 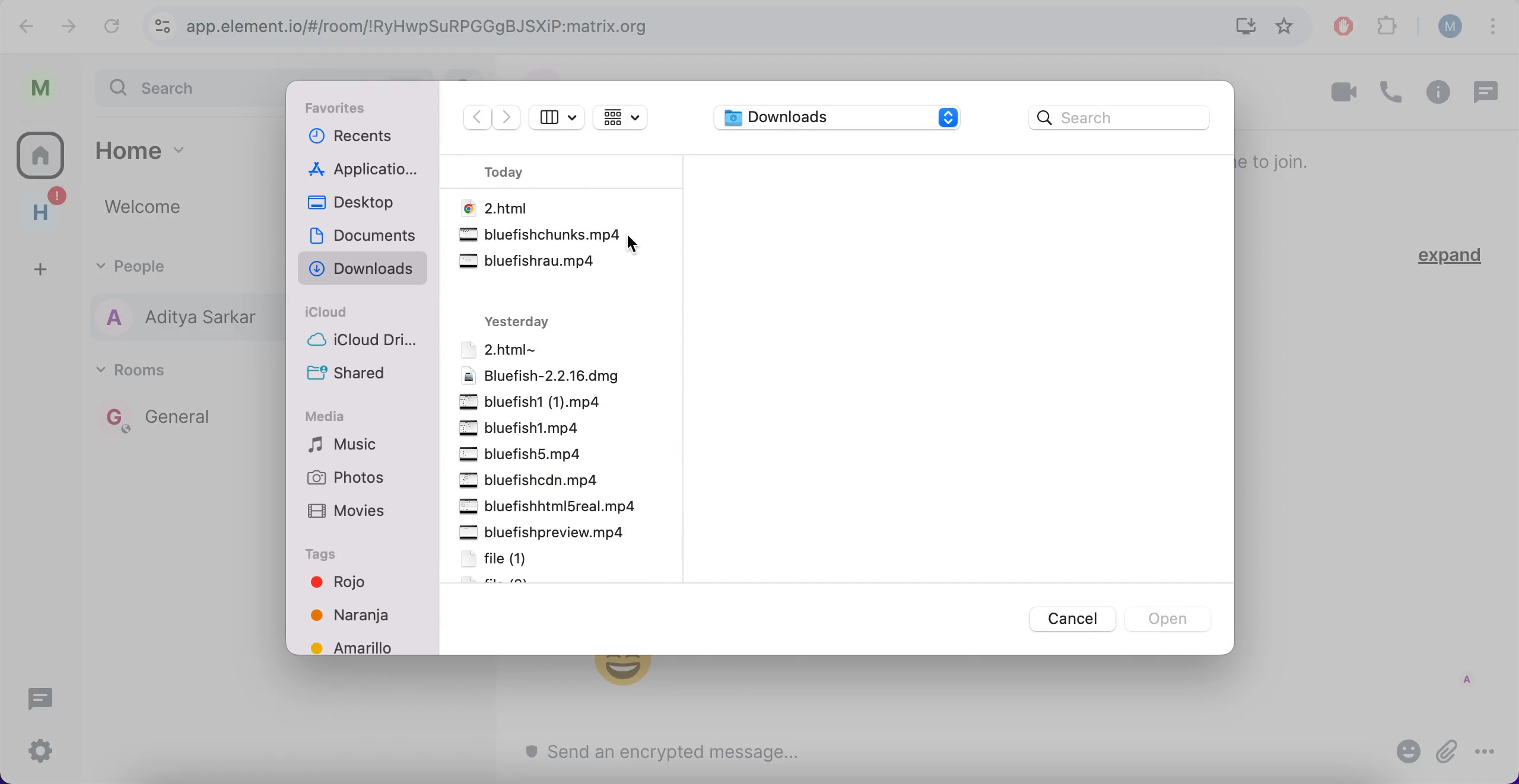 I want to click on backward, so click(x=25, y=28).